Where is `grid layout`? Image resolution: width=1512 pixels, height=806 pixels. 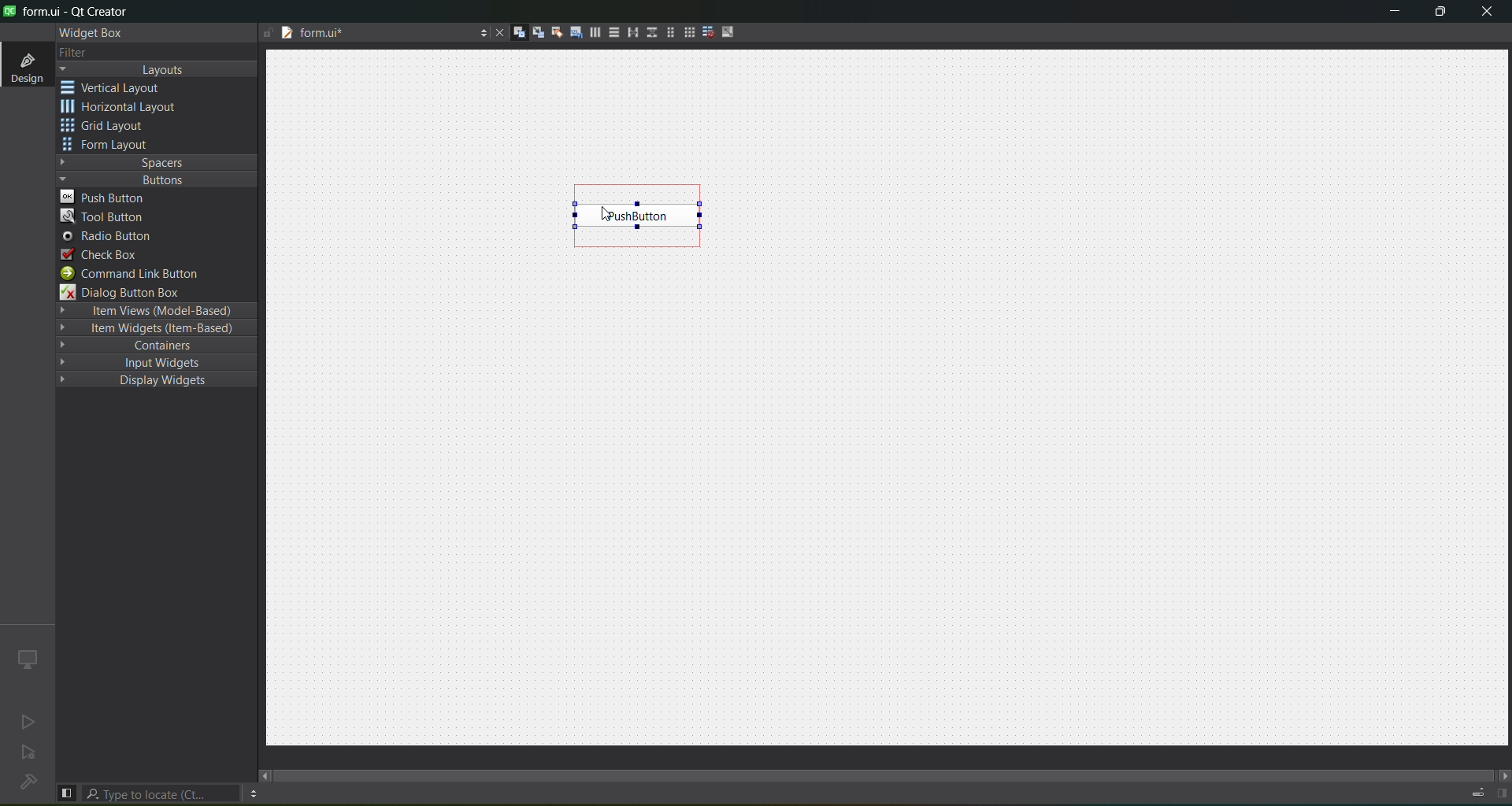 grid layout is located at coordinates (108, 128).